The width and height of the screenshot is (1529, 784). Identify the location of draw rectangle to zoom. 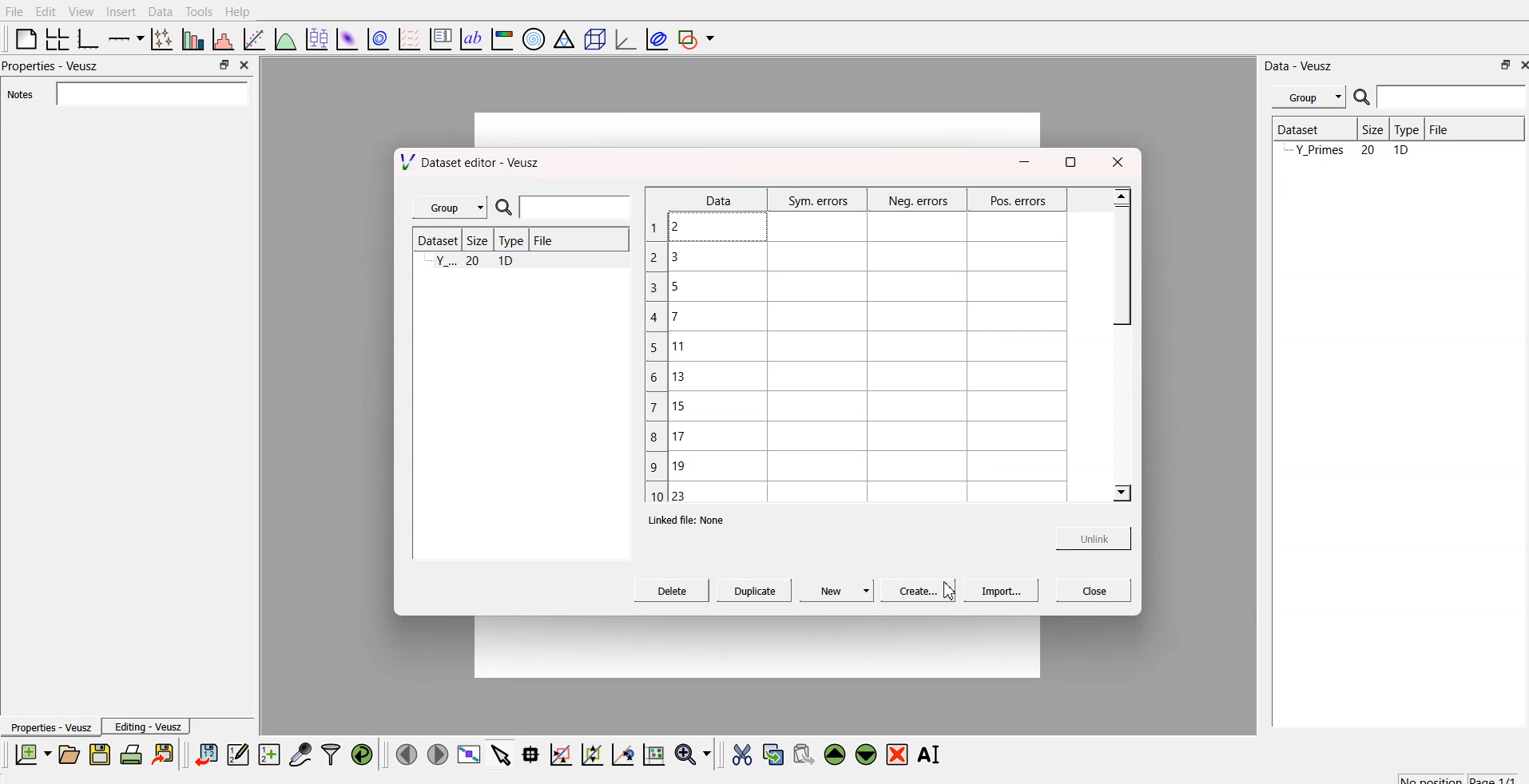
(560, 754).